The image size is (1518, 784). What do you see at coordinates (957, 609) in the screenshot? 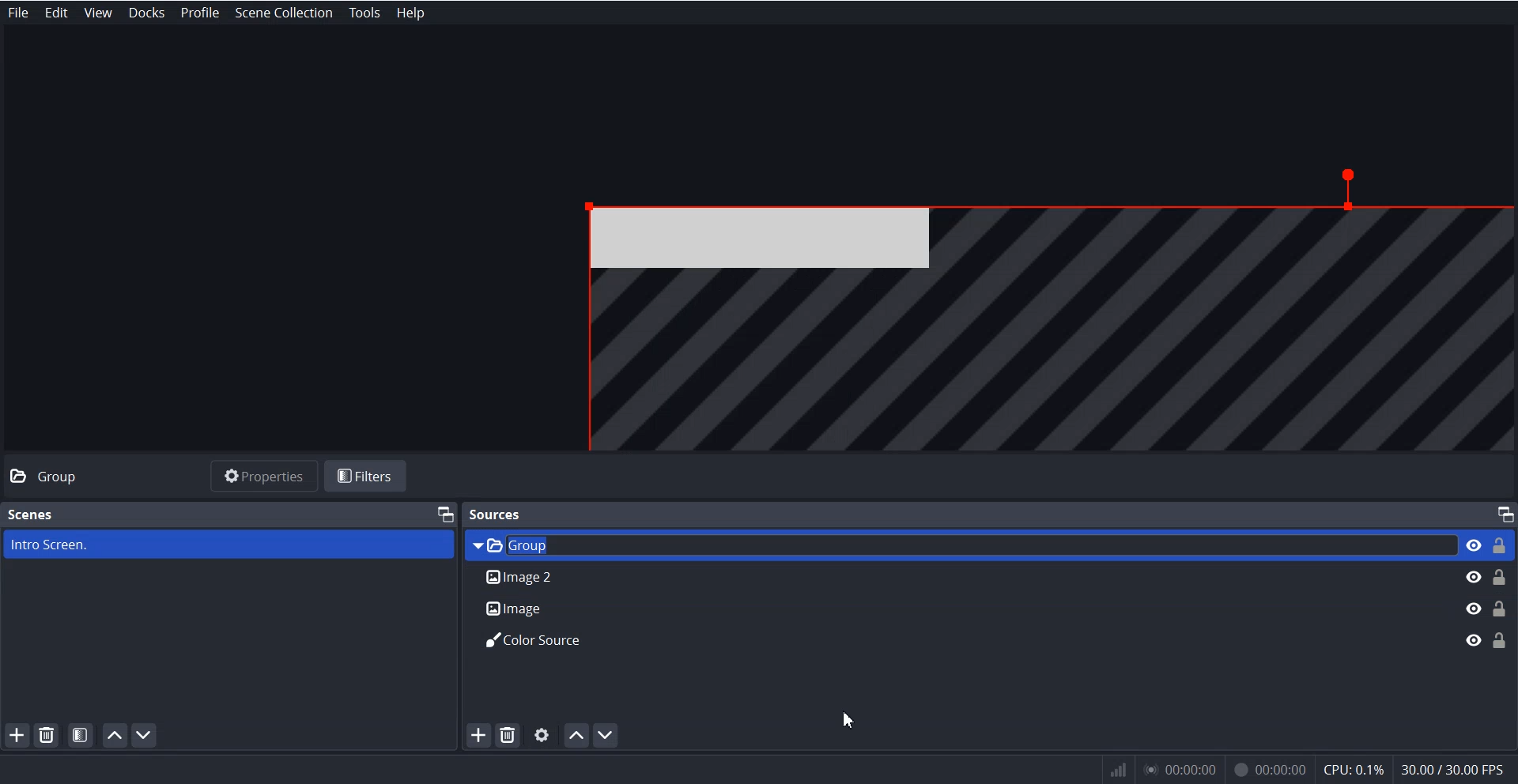
I see `Image` at bounding box center [957, 609].